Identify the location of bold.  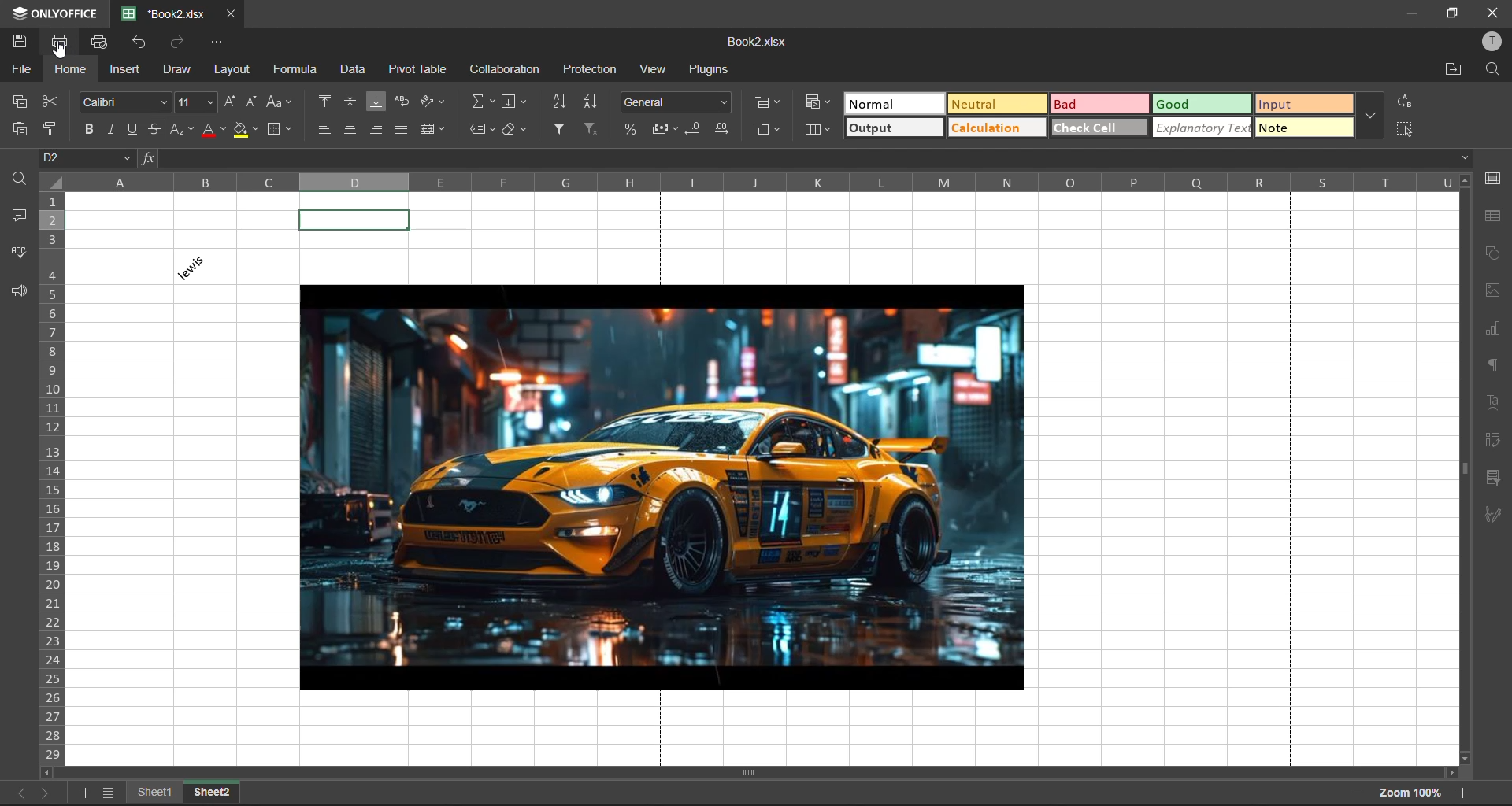
(93, 130).